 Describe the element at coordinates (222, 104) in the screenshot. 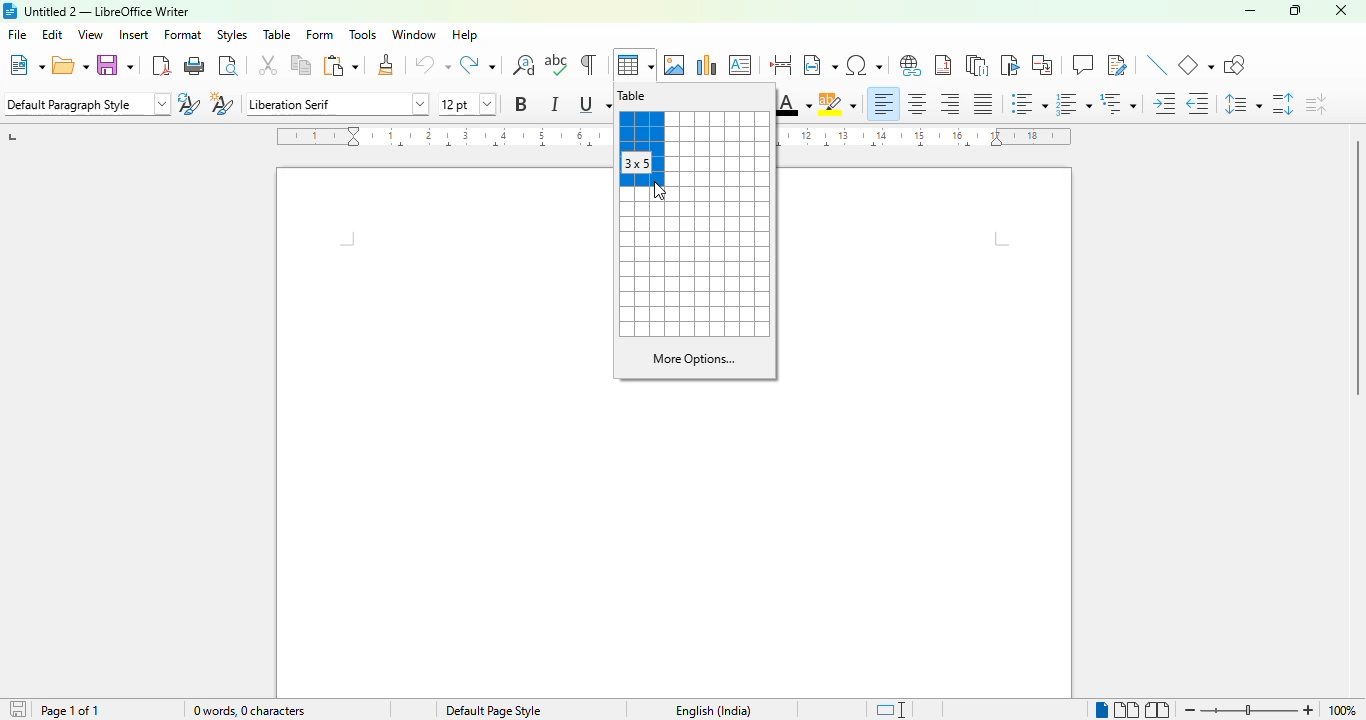

I see `new style from selection` at that location.